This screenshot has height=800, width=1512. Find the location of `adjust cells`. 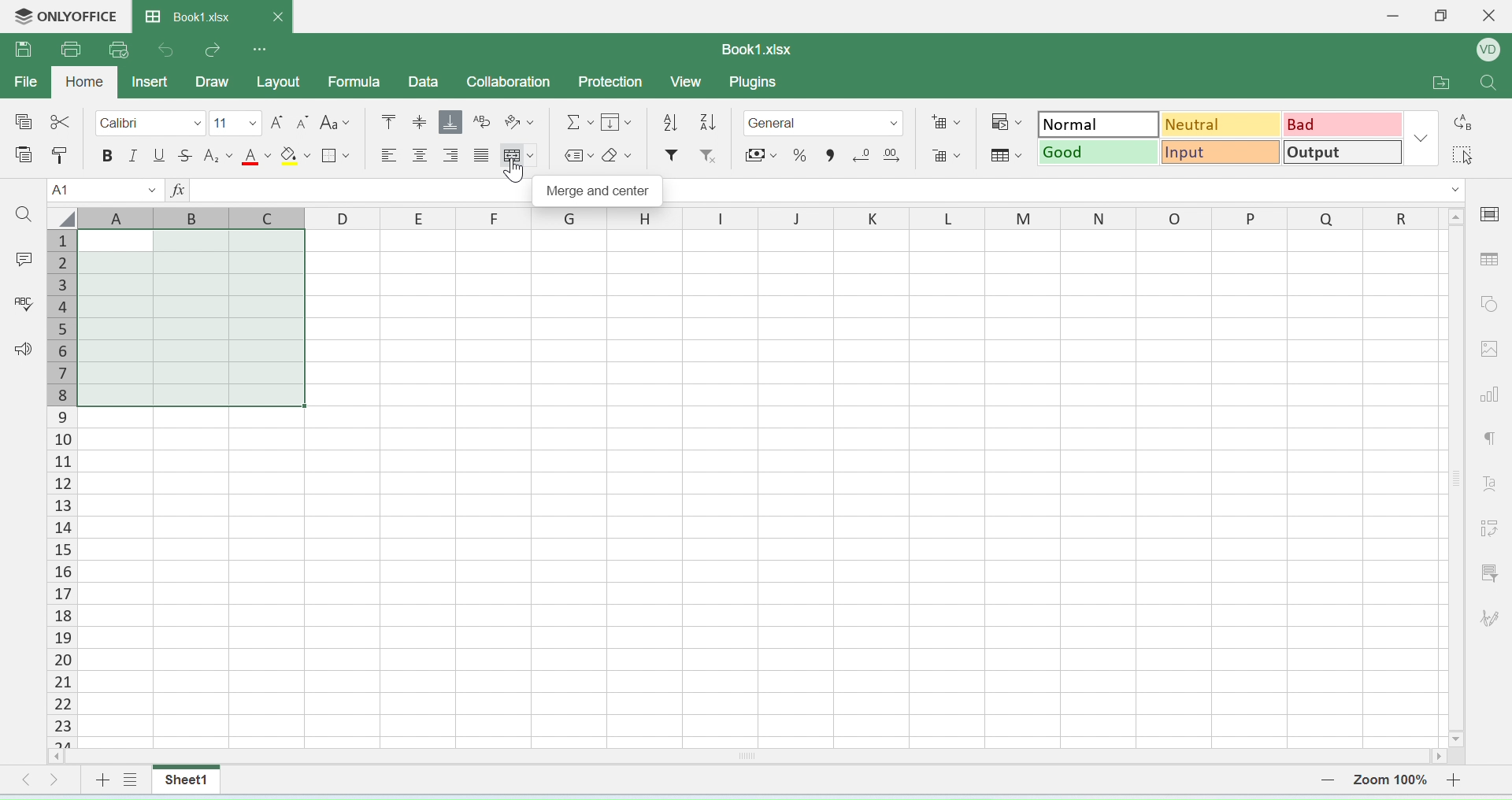

adjust cells is located at coordinates (1490, 528).